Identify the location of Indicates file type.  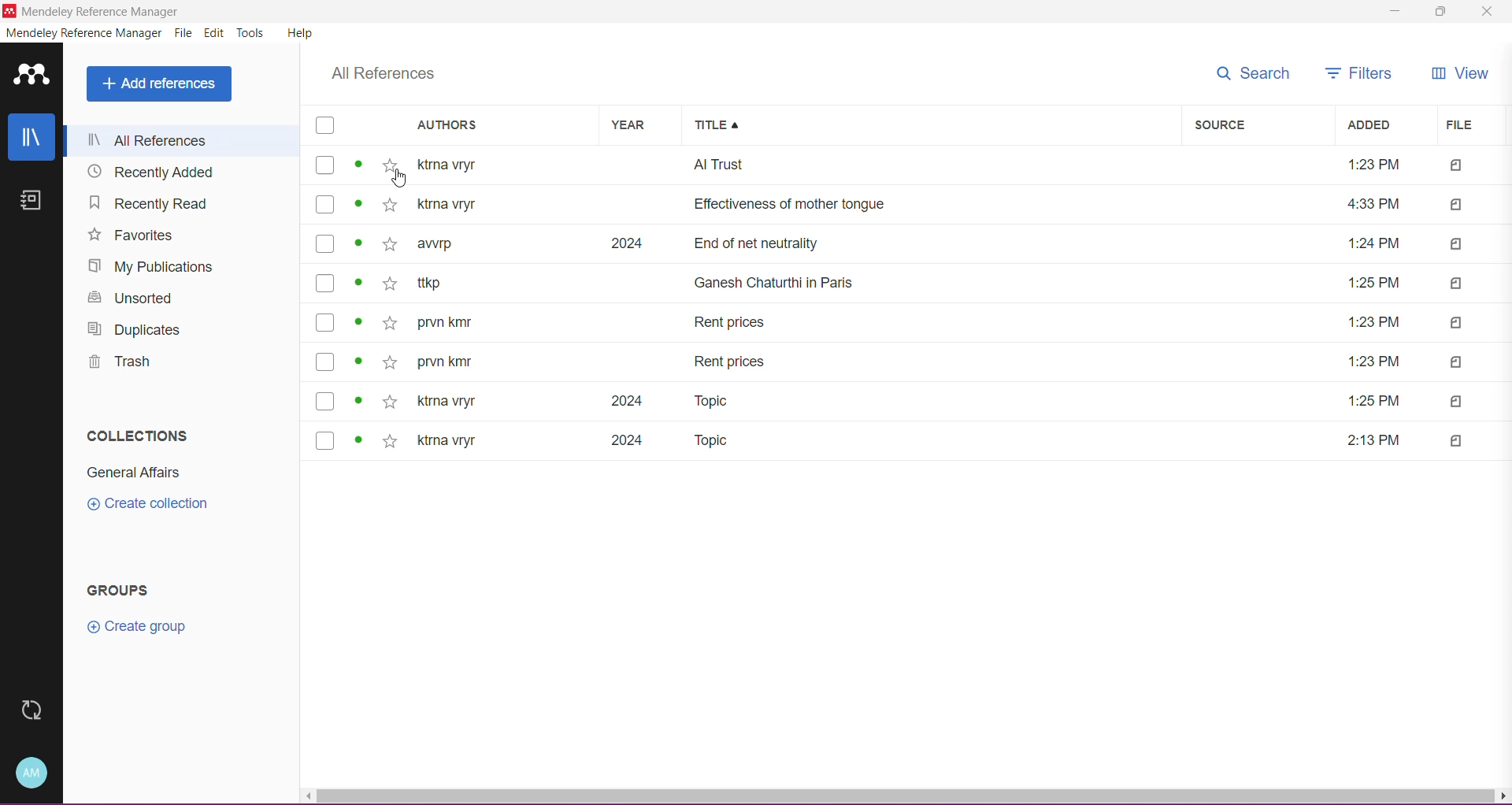
(1457, 284).